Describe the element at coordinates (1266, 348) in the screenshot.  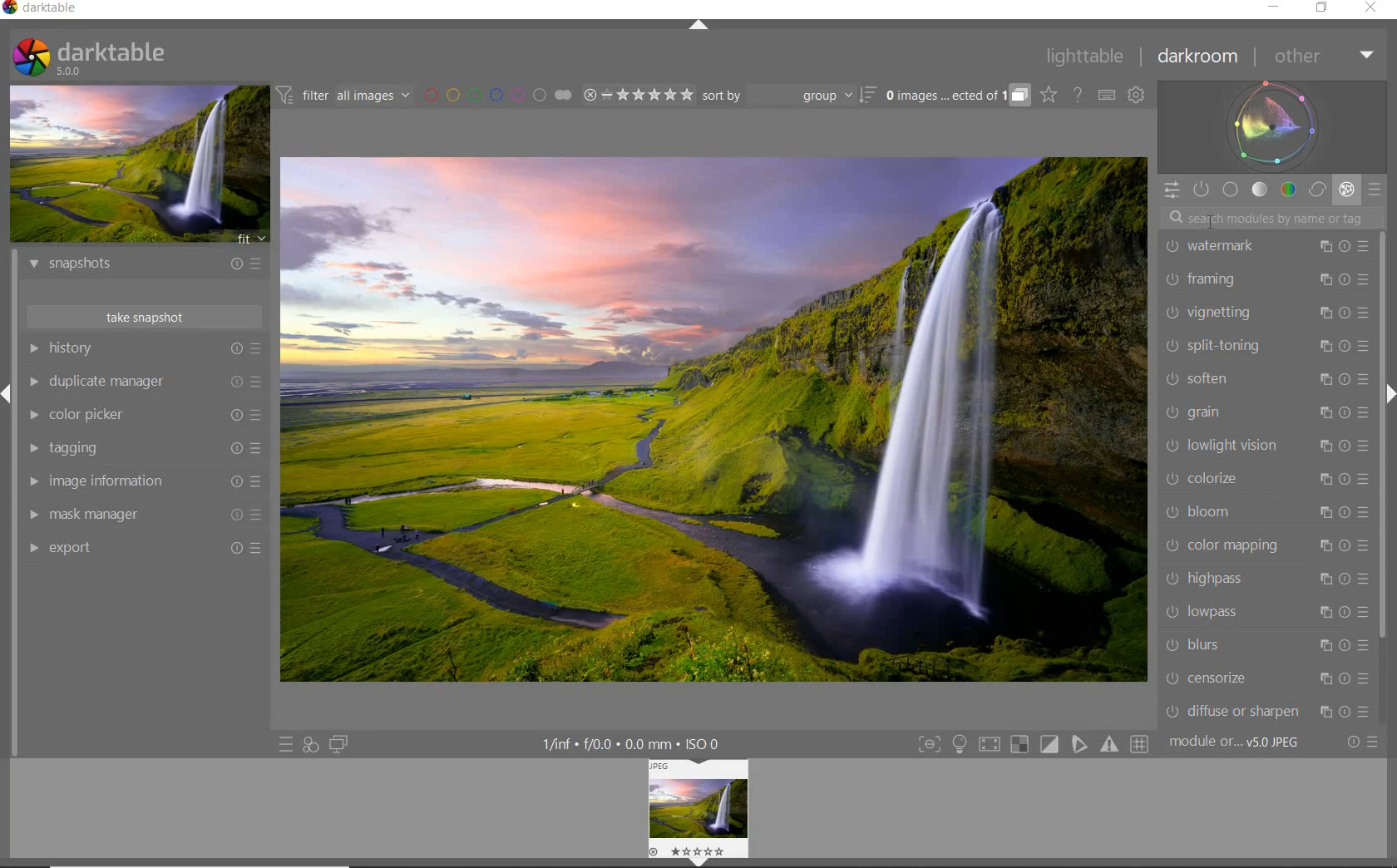
I see `split-toning` at that location.